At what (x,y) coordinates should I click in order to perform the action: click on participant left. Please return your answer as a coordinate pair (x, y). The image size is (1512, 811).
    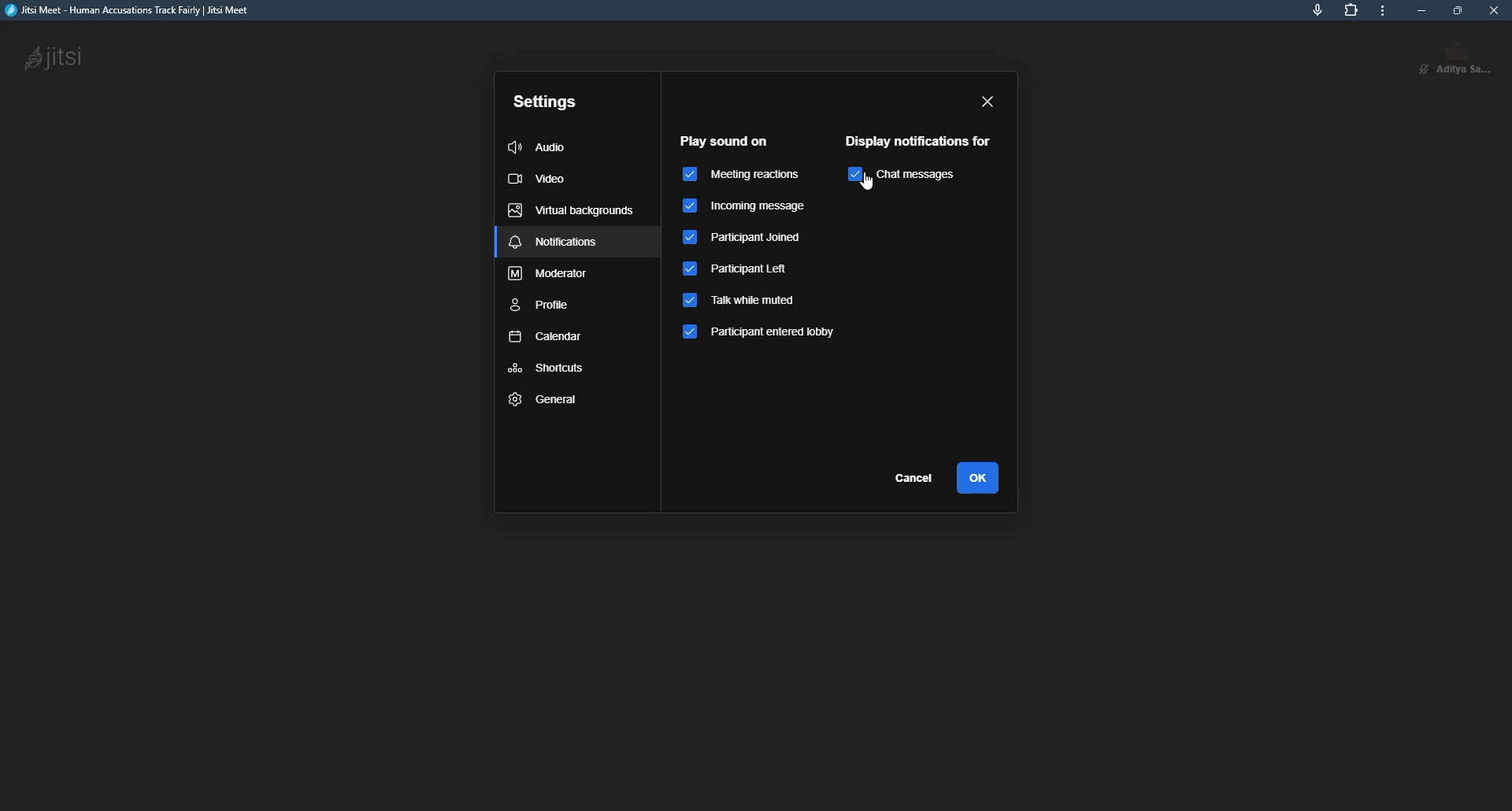
    Looking at the image, I should click on (739, 269).